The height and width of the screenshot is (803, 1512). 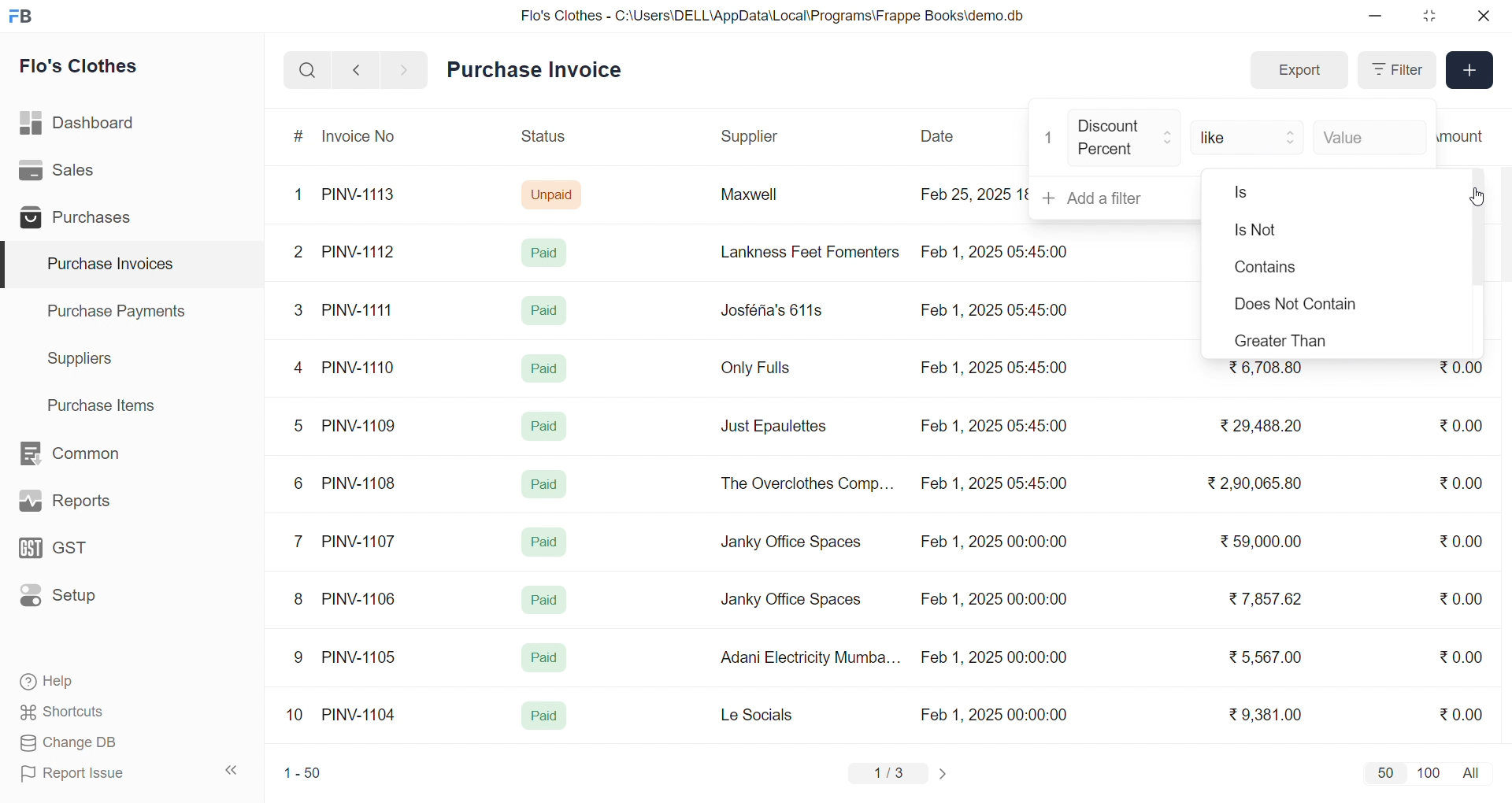 I want to click on 3, so click(x=298, y=309).